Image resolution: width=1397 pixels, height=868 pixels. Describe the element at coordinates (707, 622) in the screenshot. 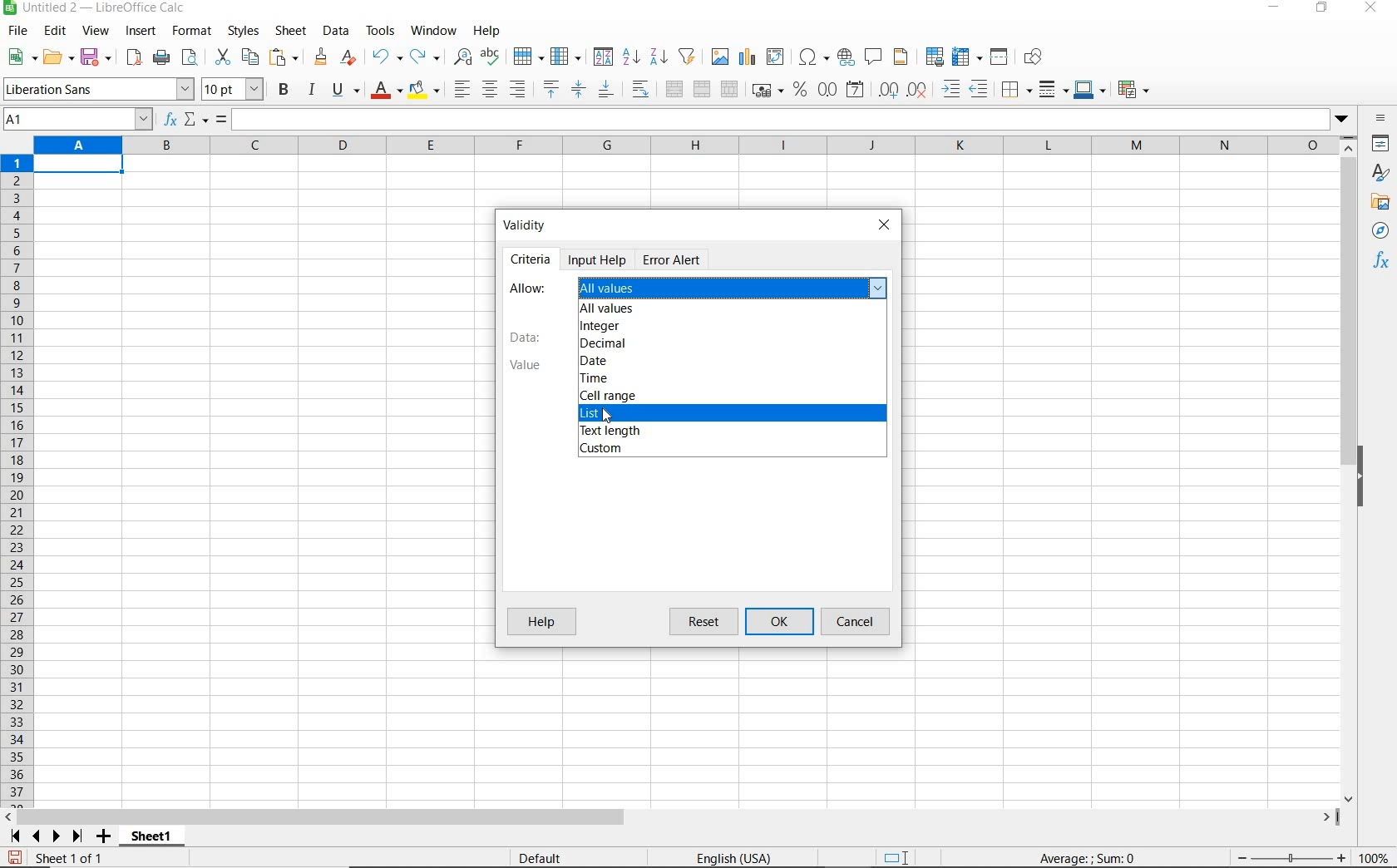

I see `reset` at that location.